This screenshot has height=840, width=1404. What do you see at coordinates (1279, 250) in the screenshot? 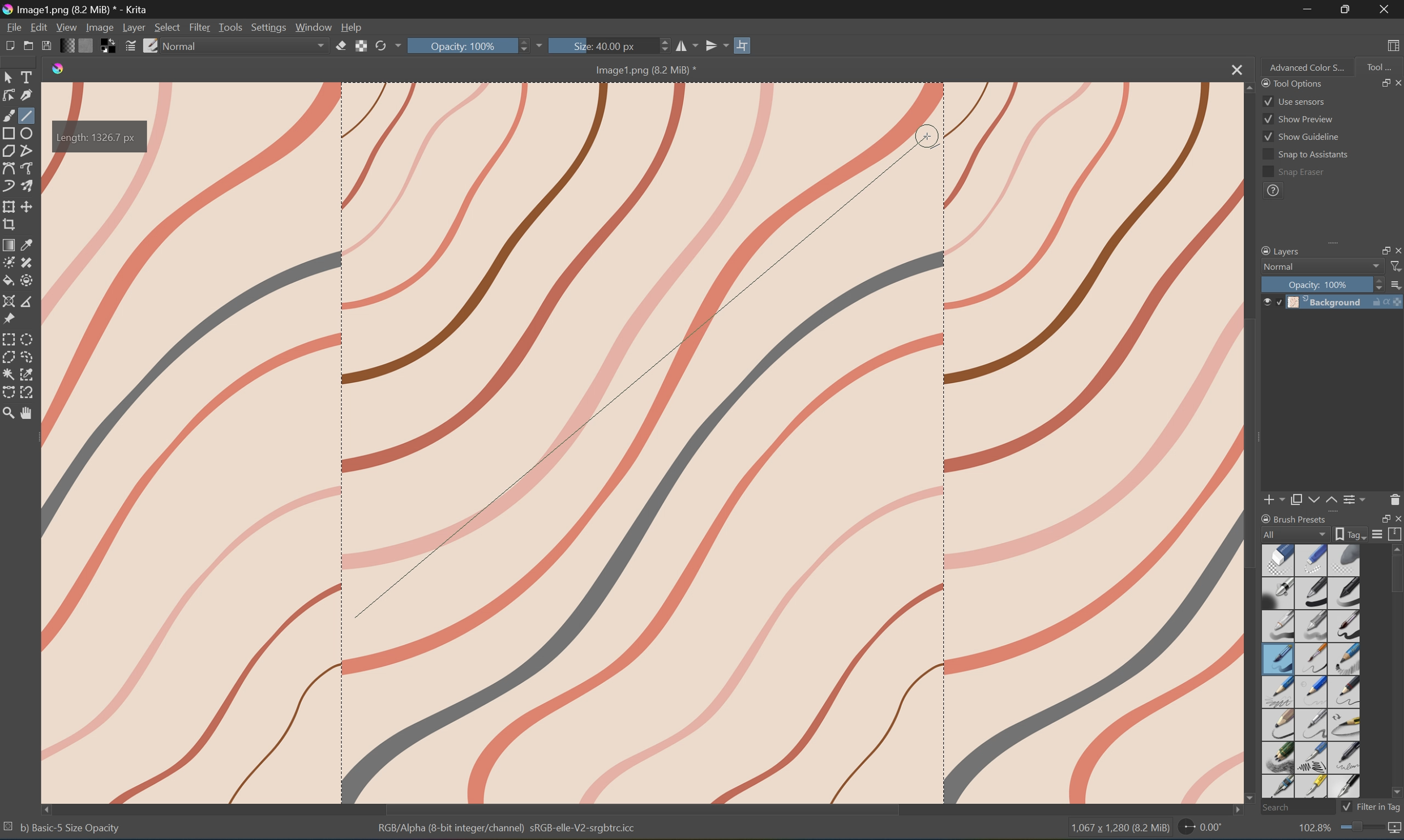
I see `Layers` at bounding box center [1279, 250].